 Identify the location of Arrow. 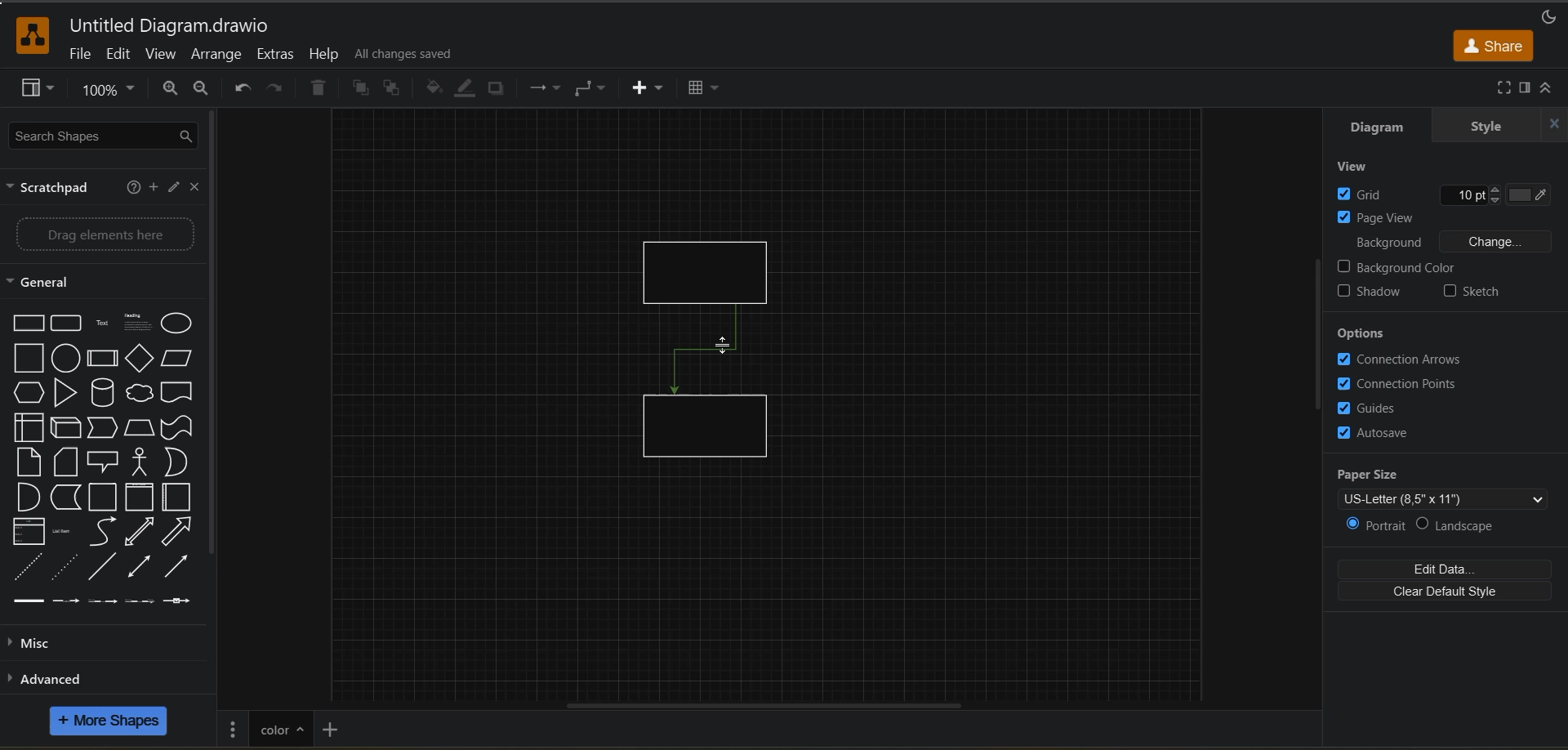
(179, 531).